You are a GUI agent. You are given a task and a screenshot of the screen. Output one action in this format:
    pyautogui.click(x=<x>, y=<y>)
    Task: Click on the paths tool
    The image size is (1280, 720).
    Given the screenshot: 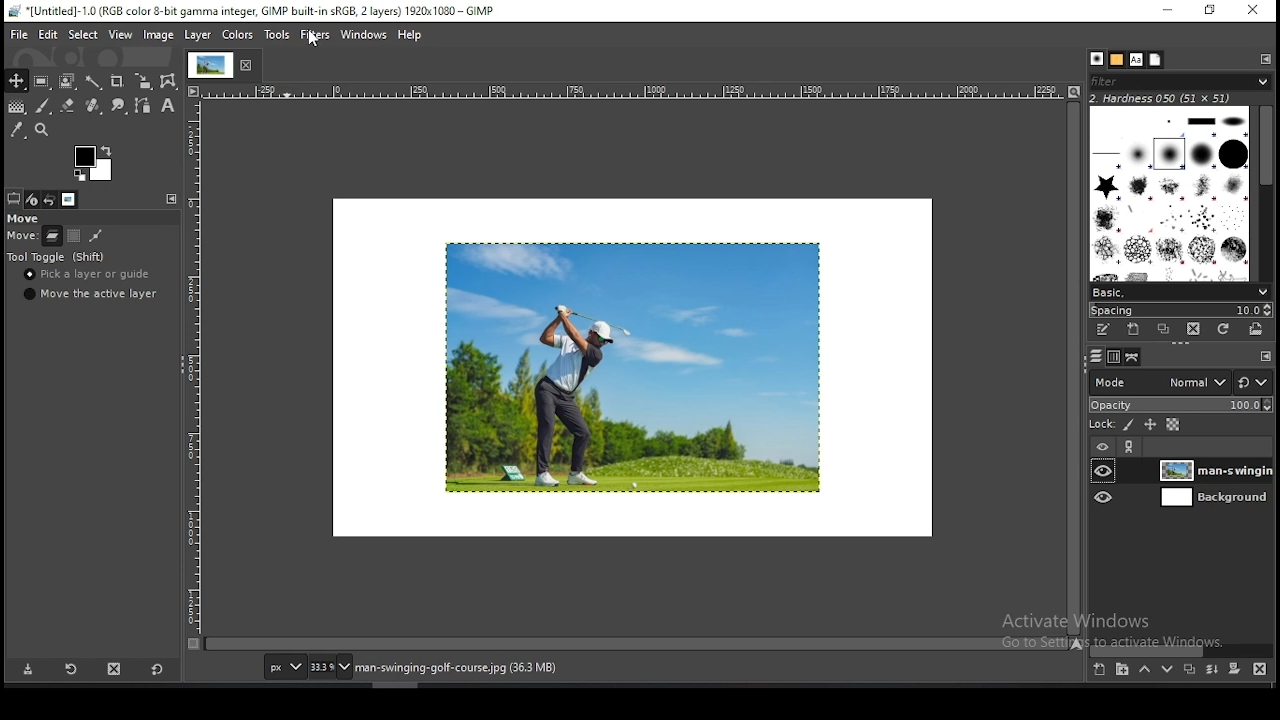 What is the action you would take?
    pyautogui.click(x=141, y=105)
    